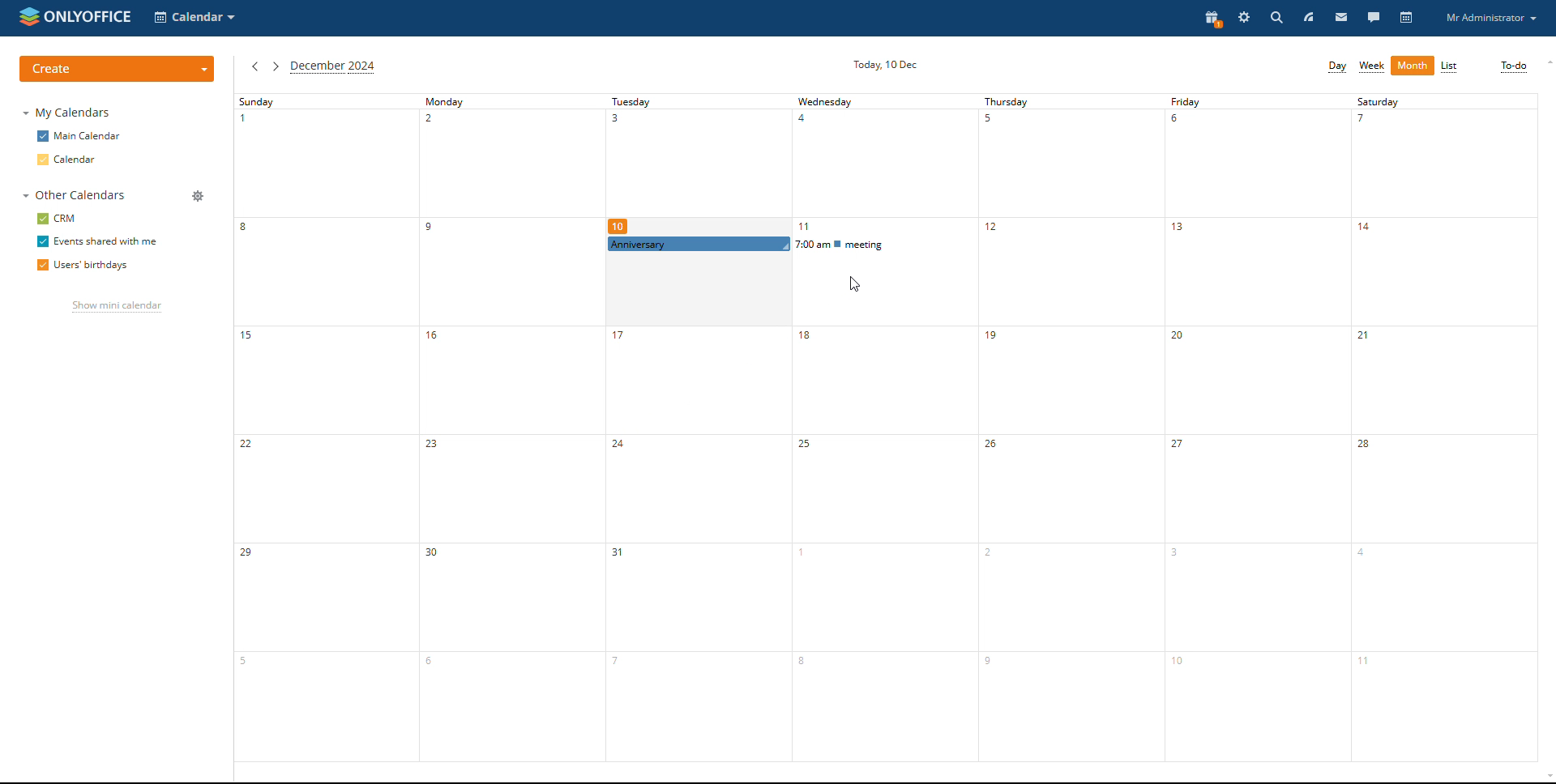 The height and width of the screenshot is (784, 1556). What do you see at coordinates (696, 428) in the screenshot?
I see `tuesday` at bounding box center [696, 428].